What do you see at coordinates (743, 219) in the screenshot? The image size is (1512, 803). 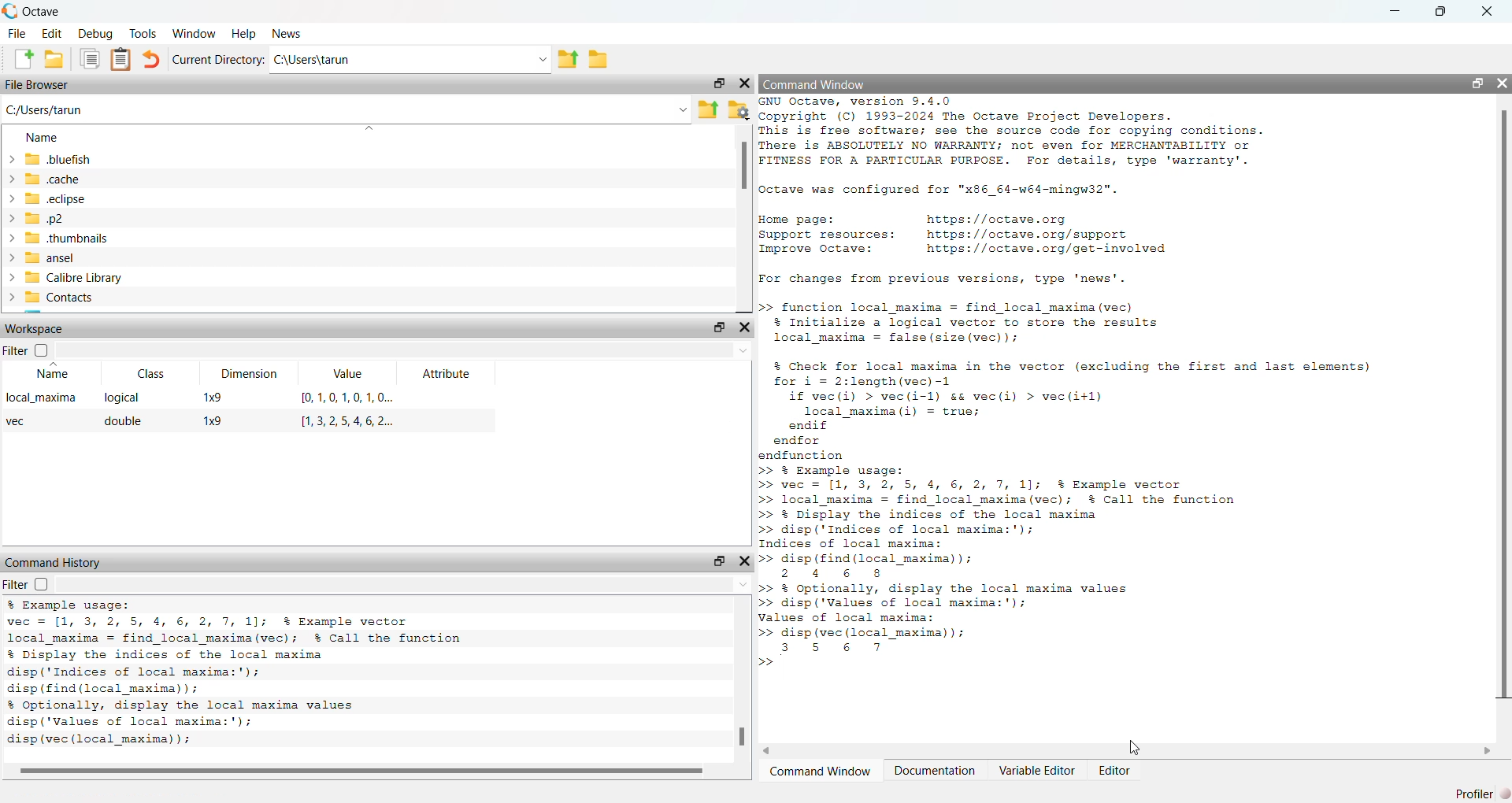 I see `vertical scroll bar` at bounding box center [743, 219].